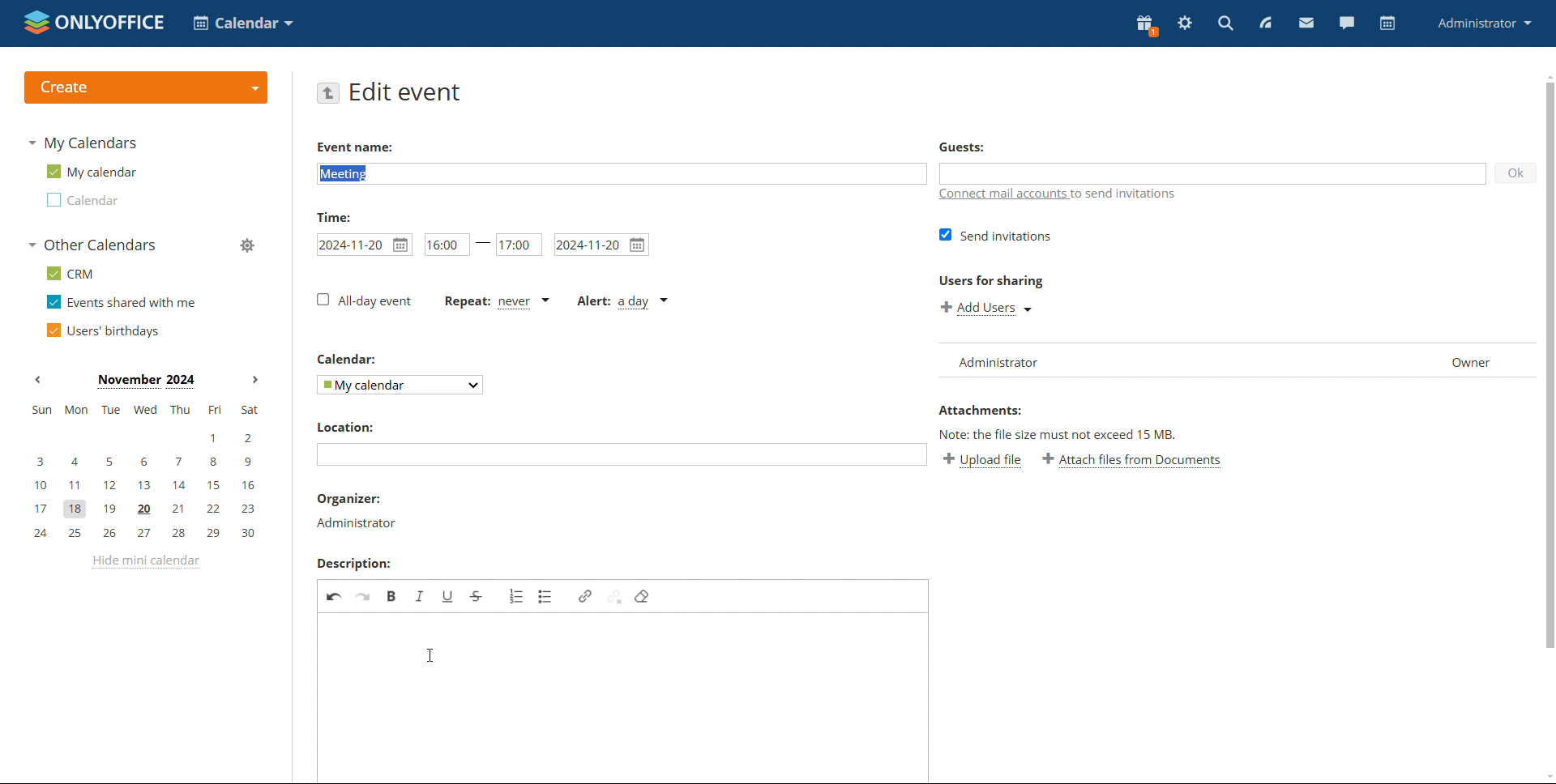  What do you see at coordinates (91, 170) in the screenshot?
I see `my calendar` at bounding box center [91, 170].